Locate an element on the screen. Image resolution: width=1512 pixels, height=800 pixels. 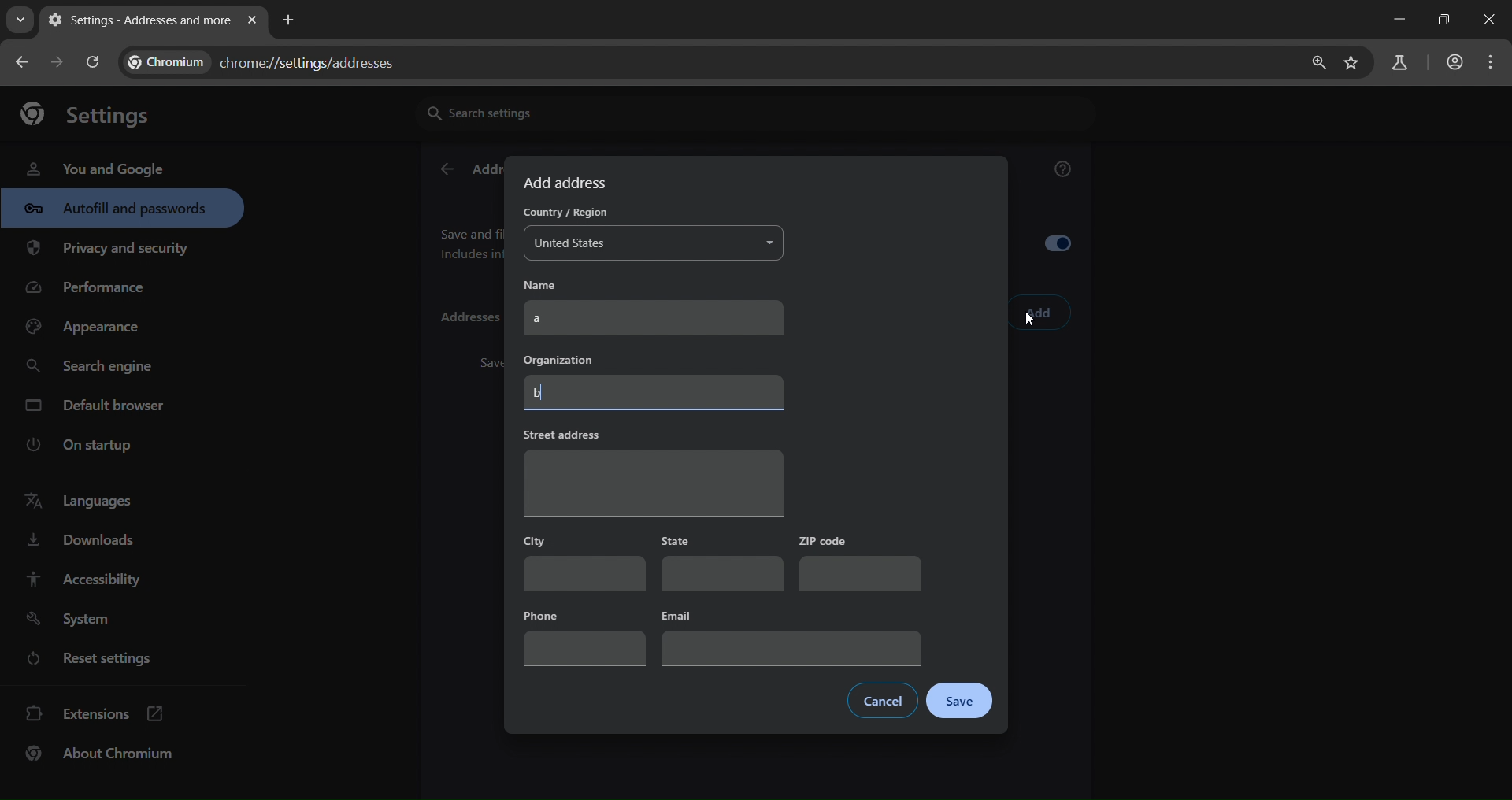
country is located at coordinates (562, 214).